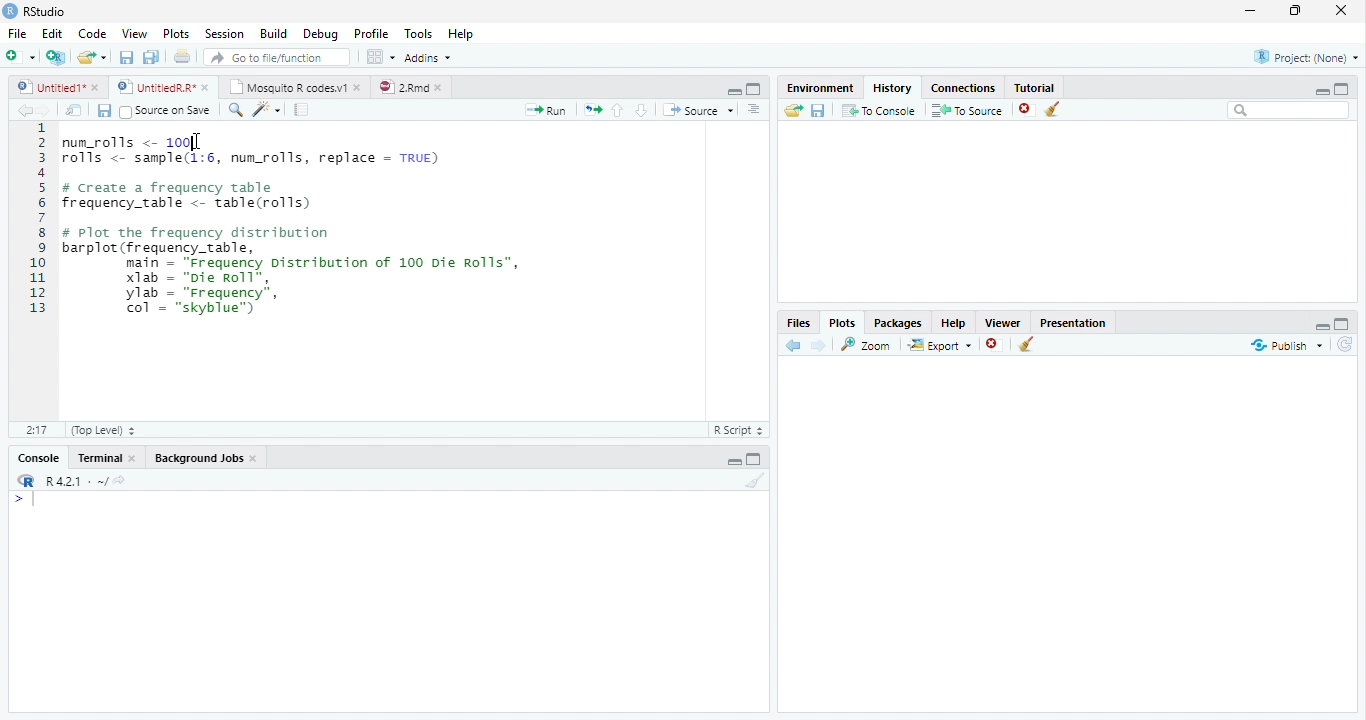  Describe the element at coordinates (547, 110) in the screenshot. I see `Run` at that location.